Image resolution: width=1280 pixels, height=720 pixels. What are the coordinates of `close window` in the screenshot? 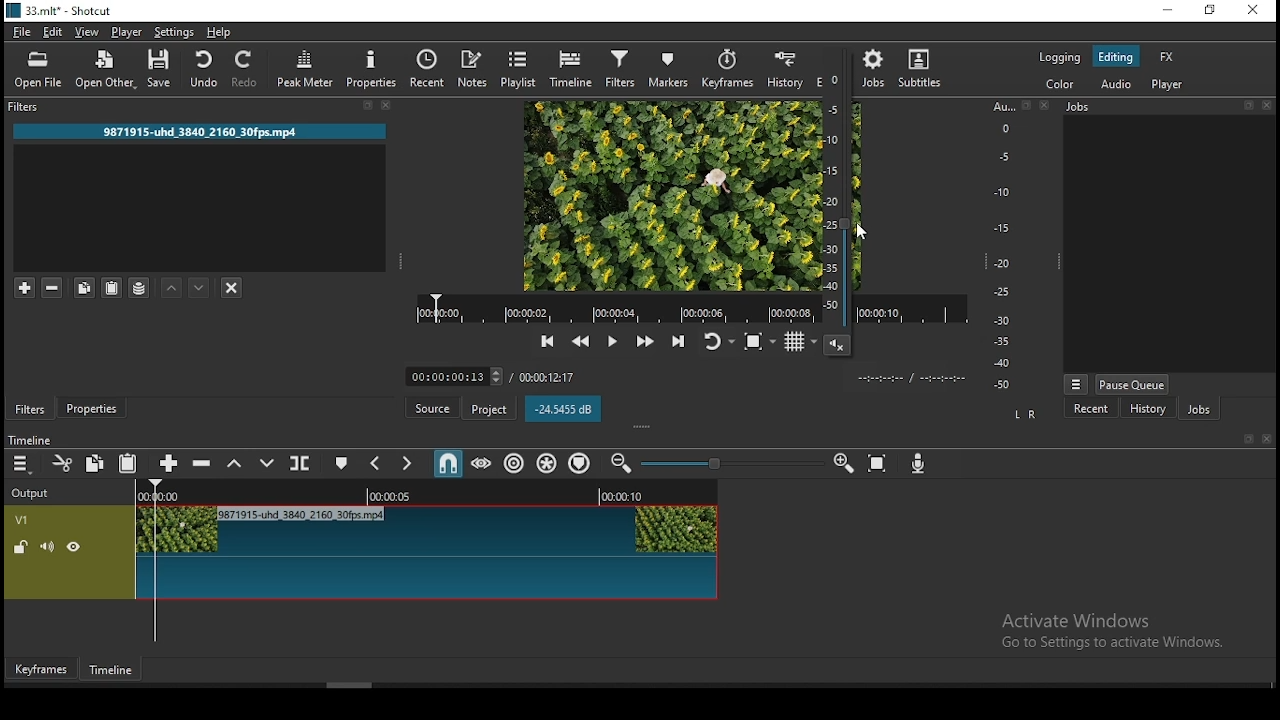 It's located at (1255, 11).